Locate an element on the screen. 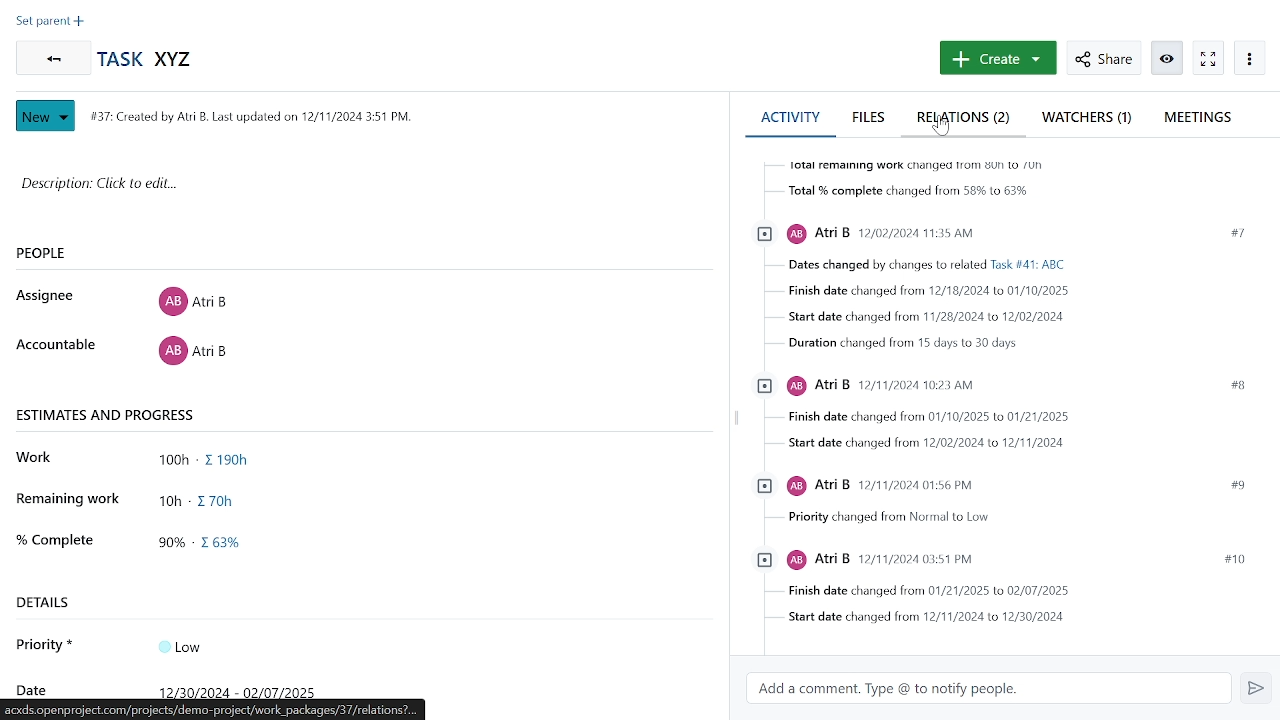 The width and height of the screenshot is (1280, 720). accountable is located at coordinates (192, 354).